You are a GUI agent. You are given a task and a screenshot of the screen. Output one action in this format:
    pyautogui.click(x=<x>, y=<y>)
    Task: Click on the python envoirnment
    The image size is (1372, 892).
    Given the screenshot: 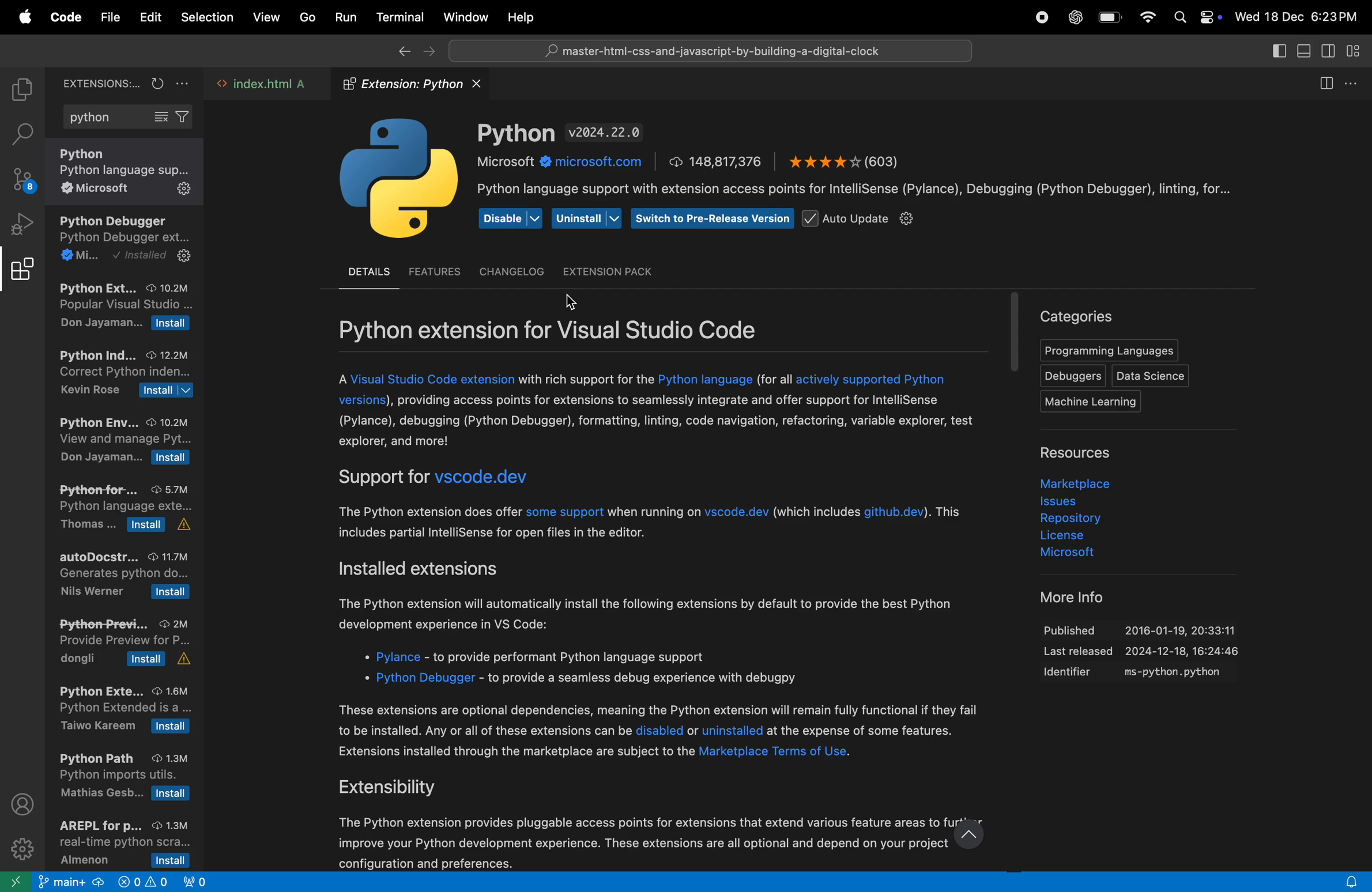 What is the action you would take?
    pyautogui.click(x=123, y=444)
    